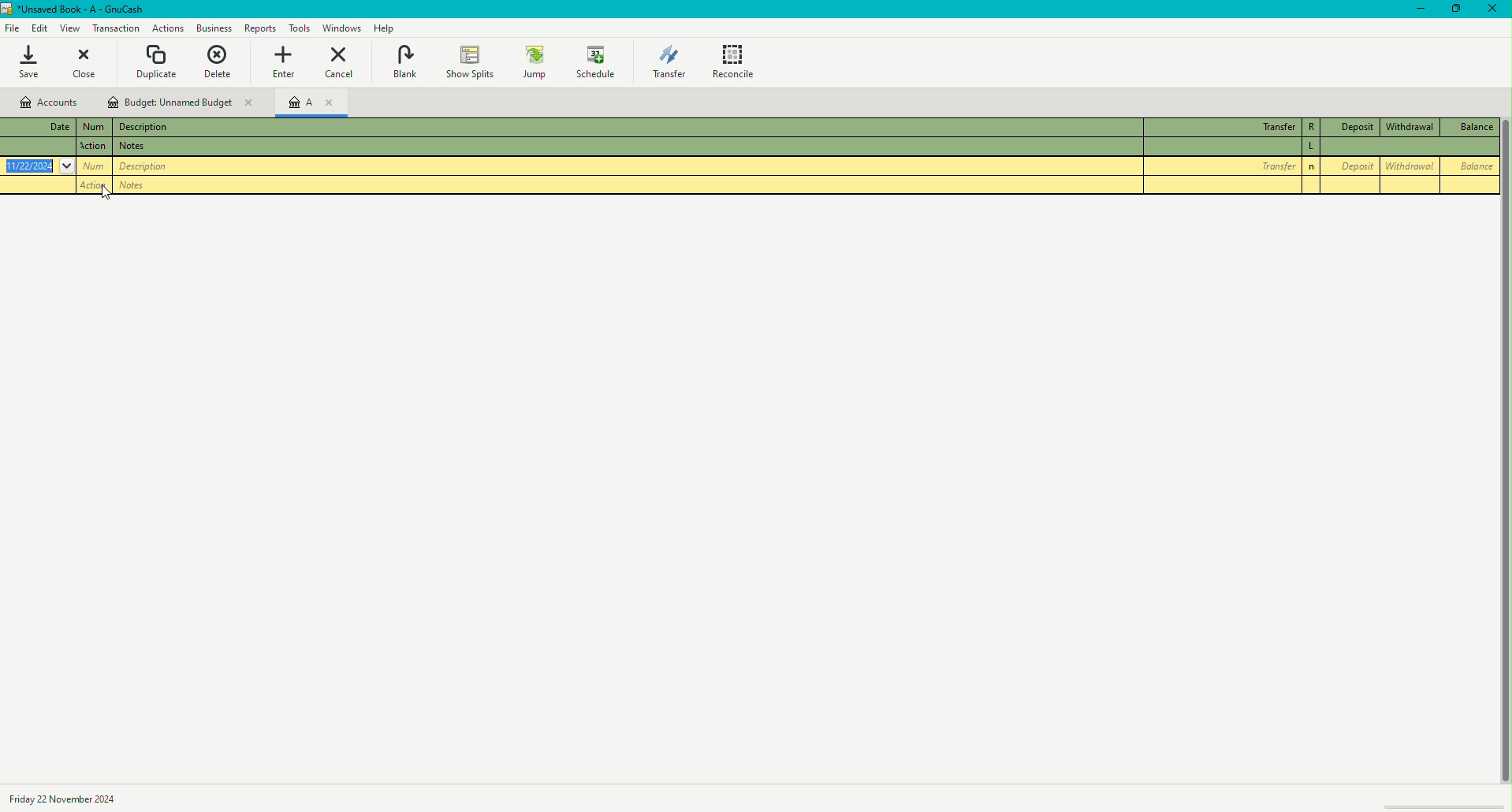  What do you see at coordinates (299, 27) in the screenshot?
I see `Tools` at bounding box center [299, 27].